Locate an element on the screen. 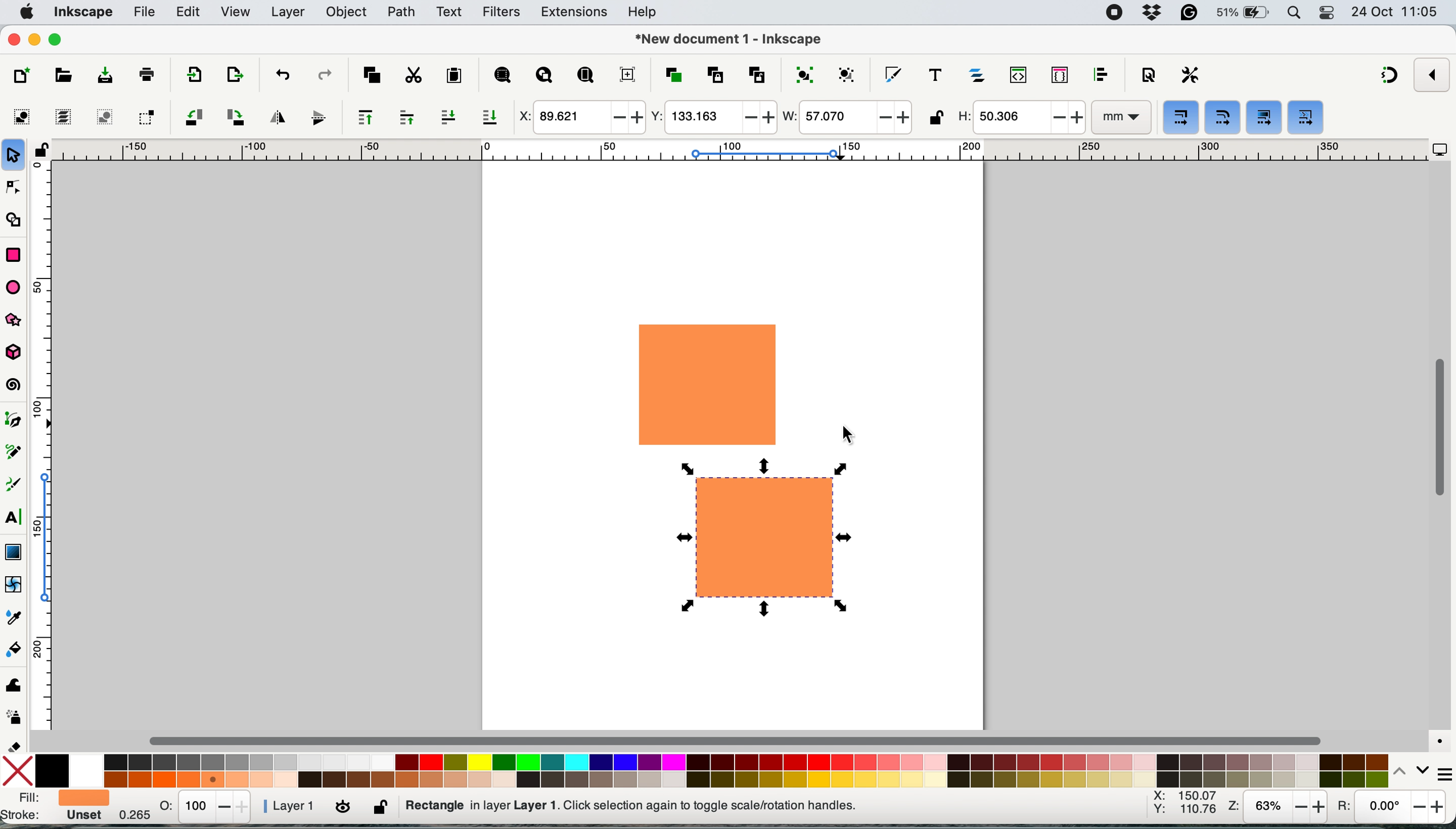 This screenshot has height=829, width=1456. screen recorder is located at coordinates (1114, 13).